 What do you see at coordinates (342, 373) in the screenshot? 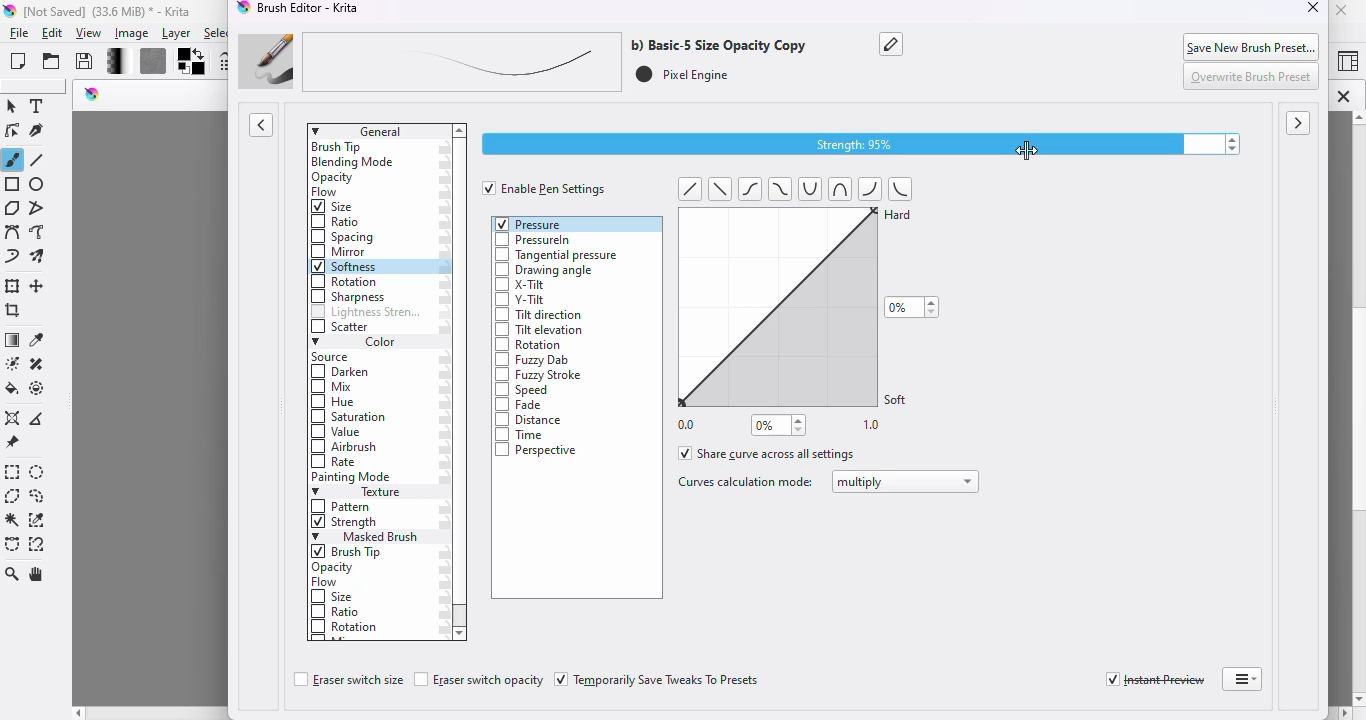
I see `darken` at bounding box center [342, 373].